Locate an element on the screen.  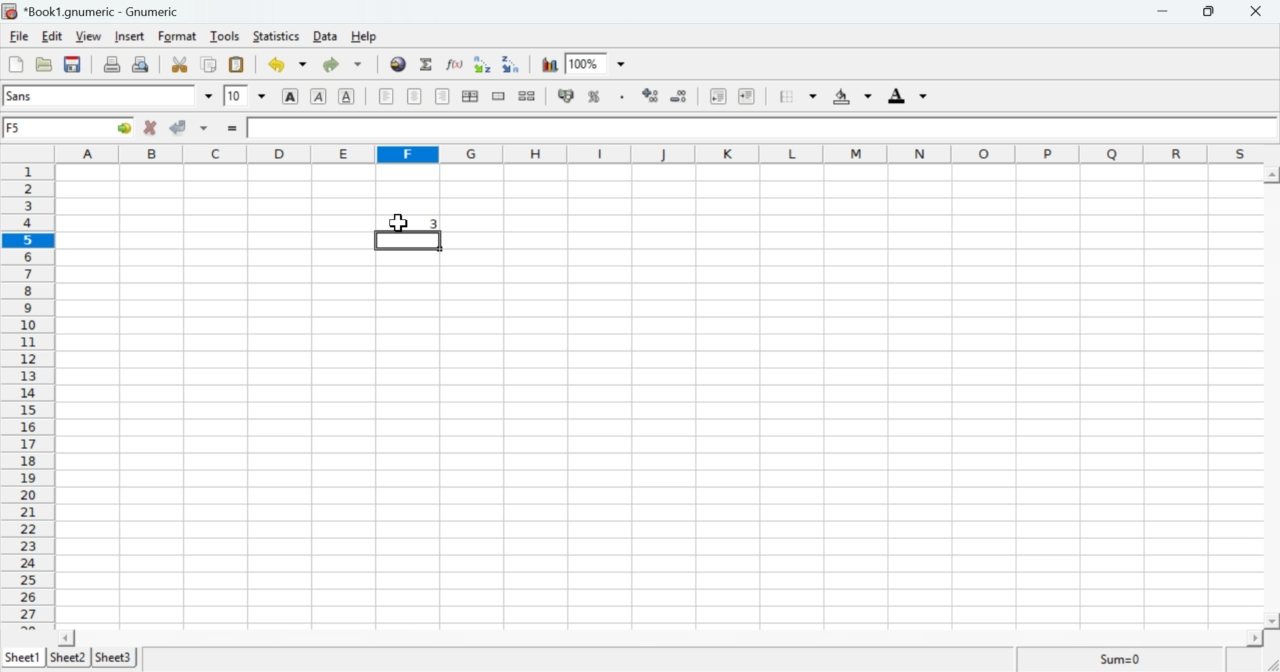
Format is located at coordinates (177, 36).